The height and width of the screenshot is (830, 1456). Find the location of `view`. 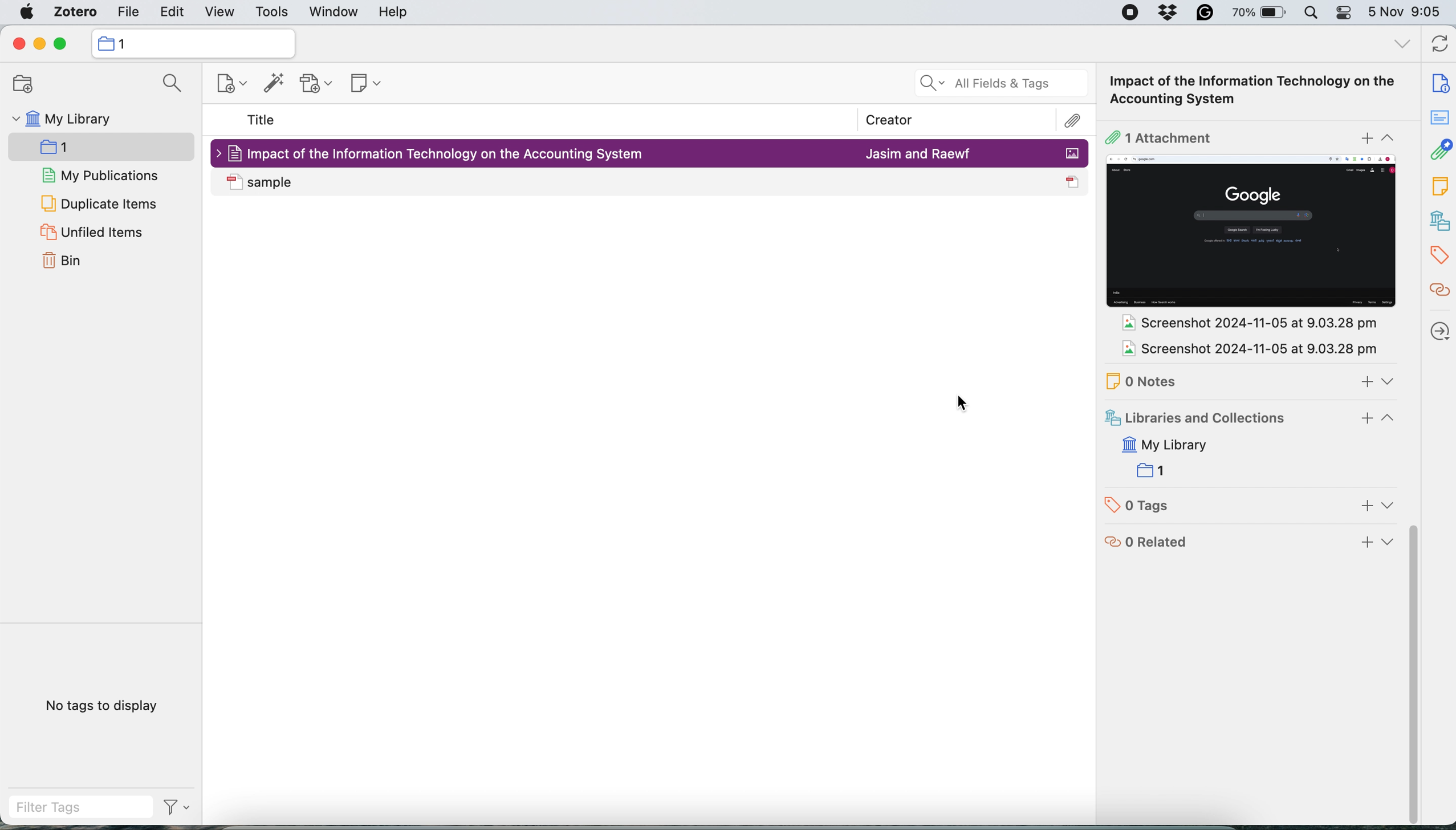

view is located at coordinates (219, 13).